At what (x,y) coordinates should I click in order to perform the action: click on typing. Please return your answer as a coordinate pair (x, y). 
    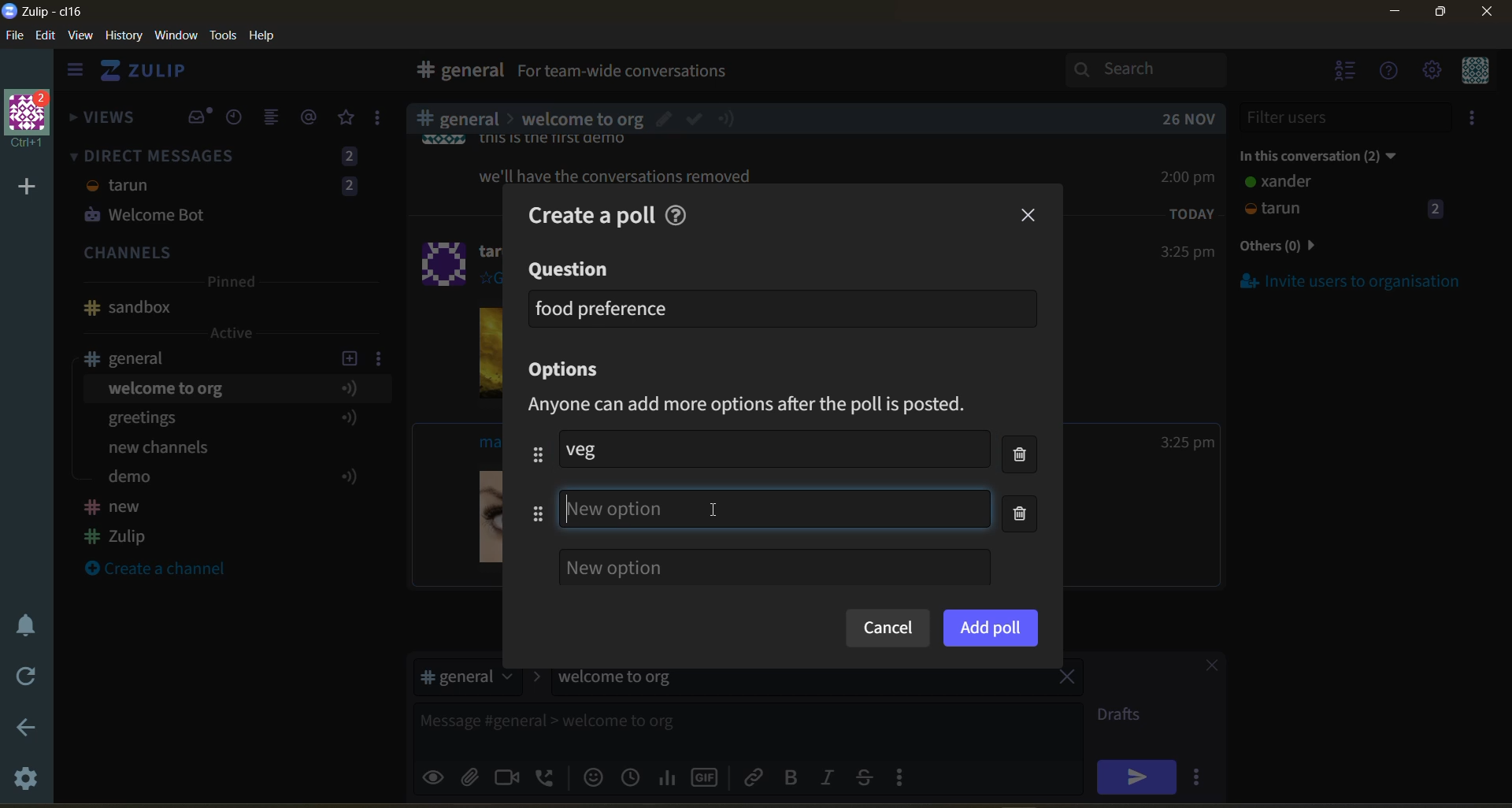
    Looking at the image, I should click on (776, 508).